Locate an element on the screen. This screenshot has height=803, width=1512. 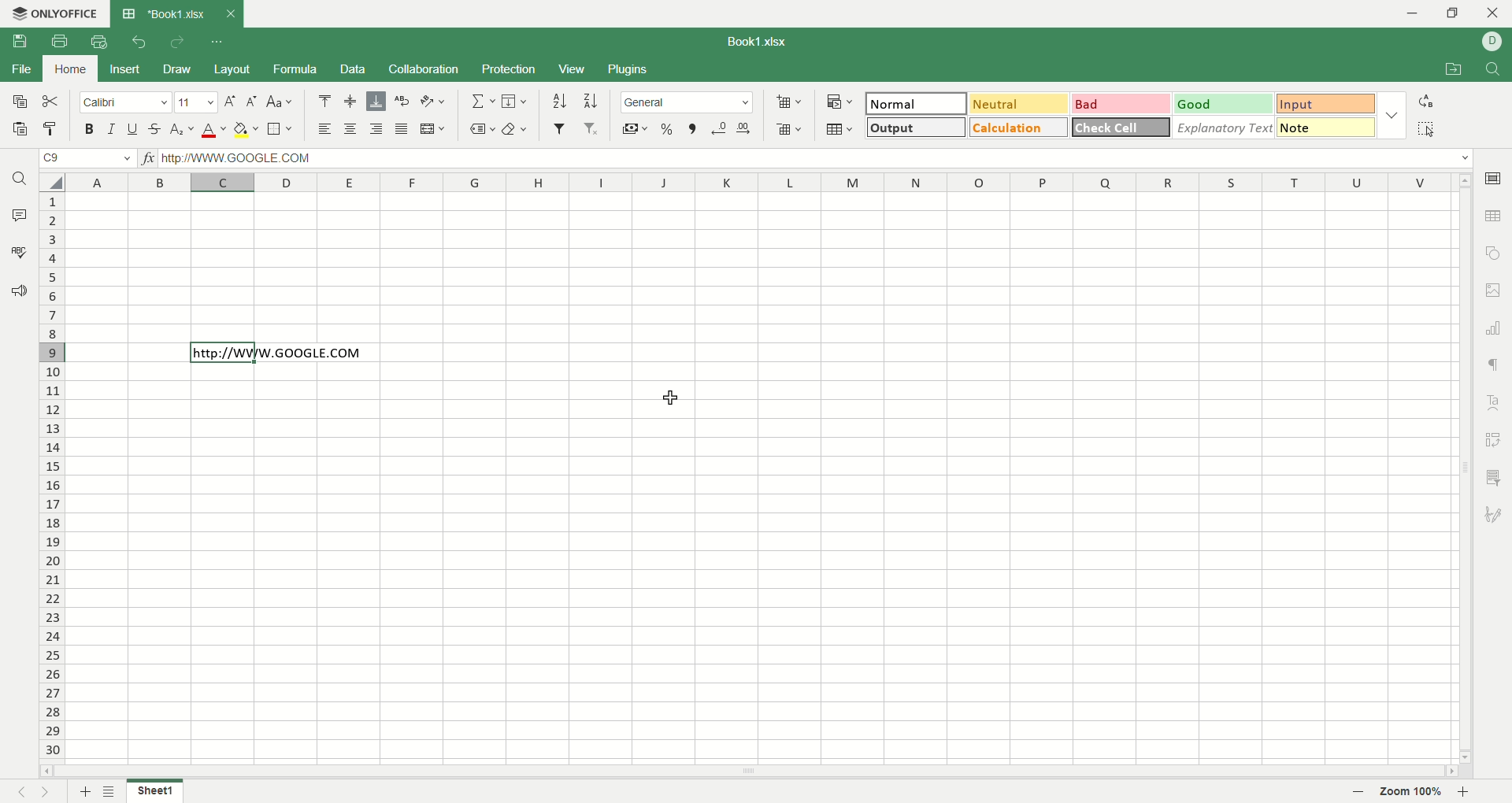
redo is located at coordinates (177, 43).